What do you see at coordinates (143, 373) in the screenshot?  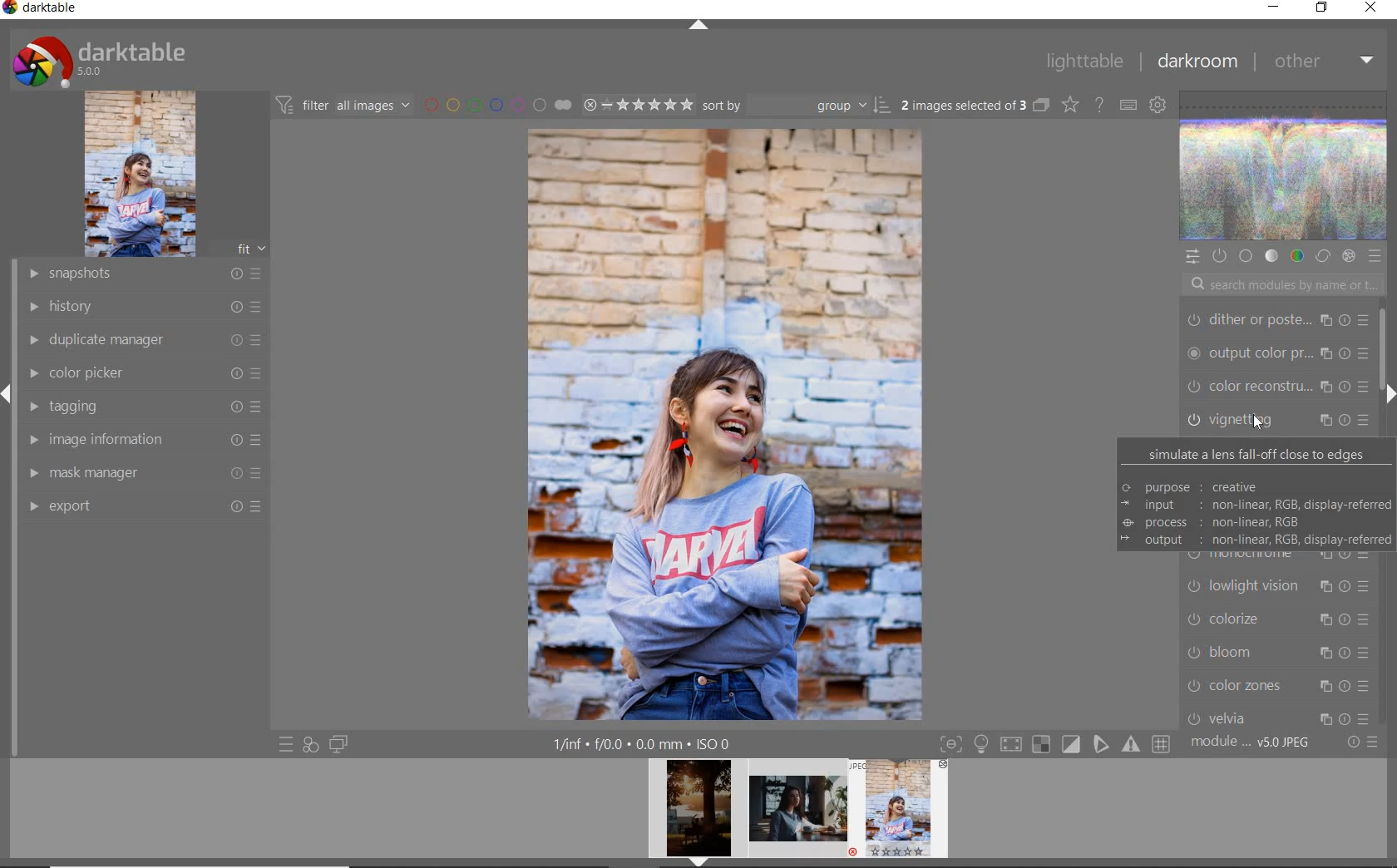 I see `color picker` at bounding box center [143, 373].